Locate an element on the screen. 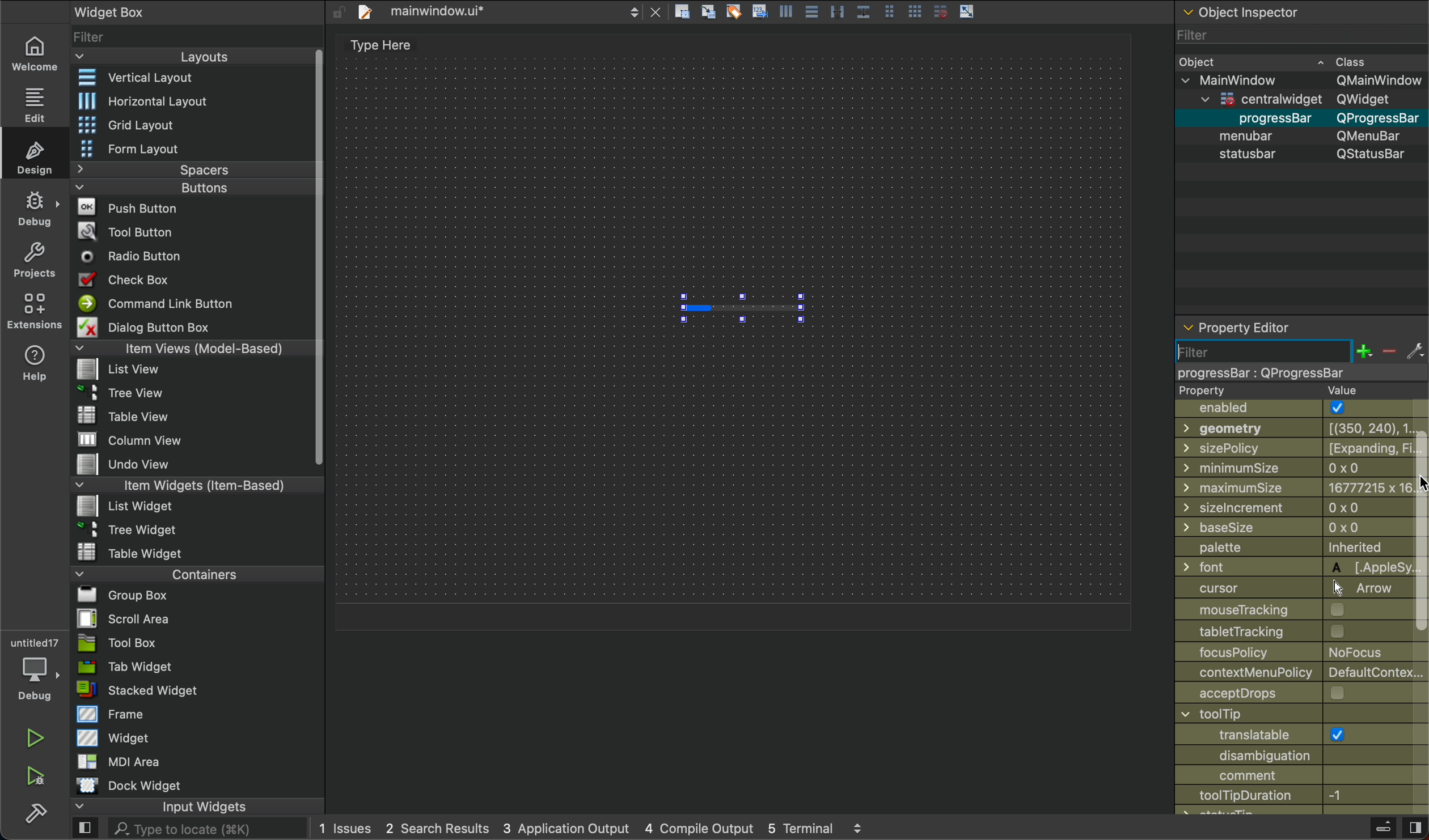 The height and width of the screenshot is (840, 1429). Dialog Button is located at coordinates (157, 326).